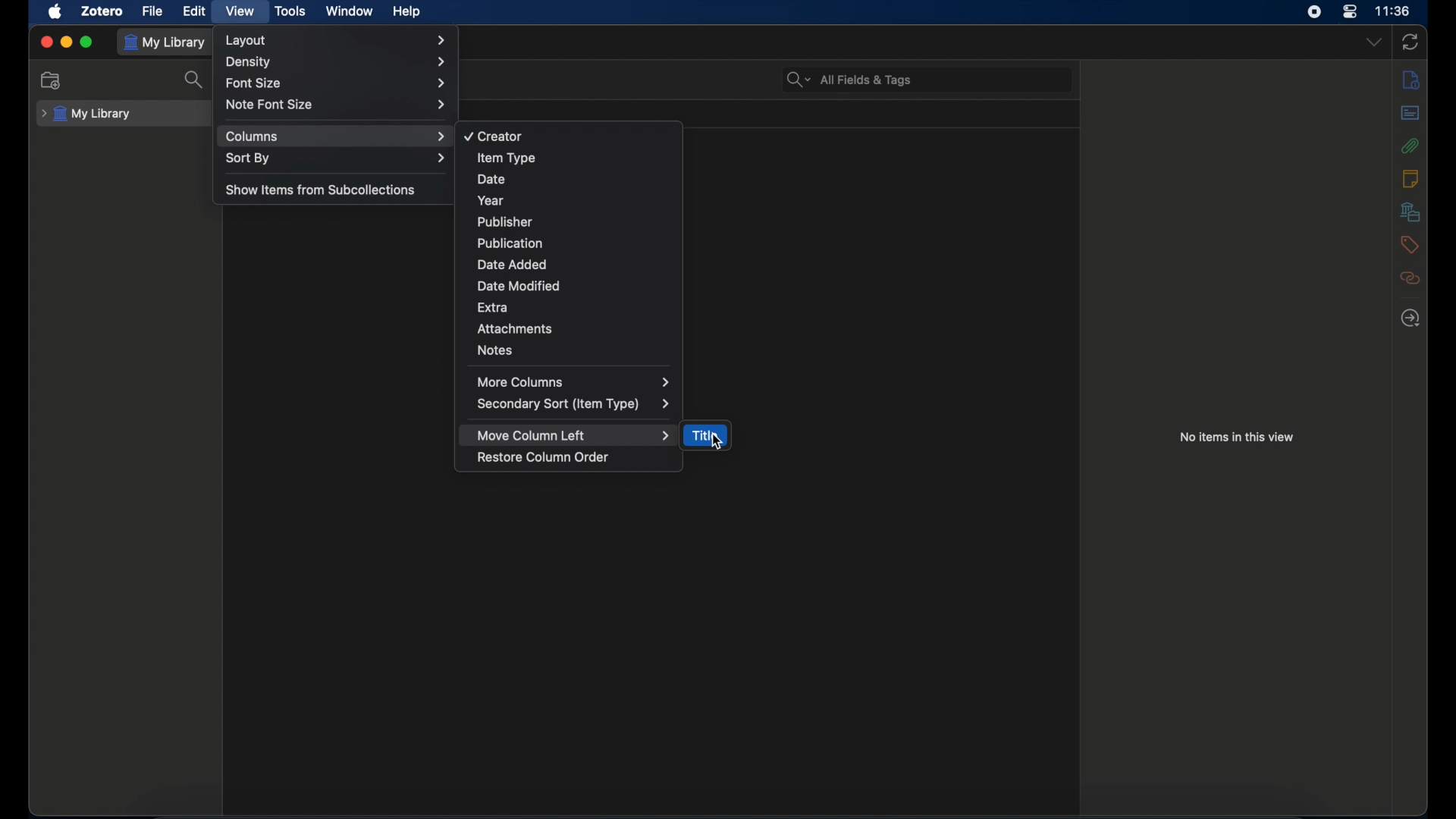  Describe the element at coordinates (1411, 318) in the screenshot. I see `related` at that location.